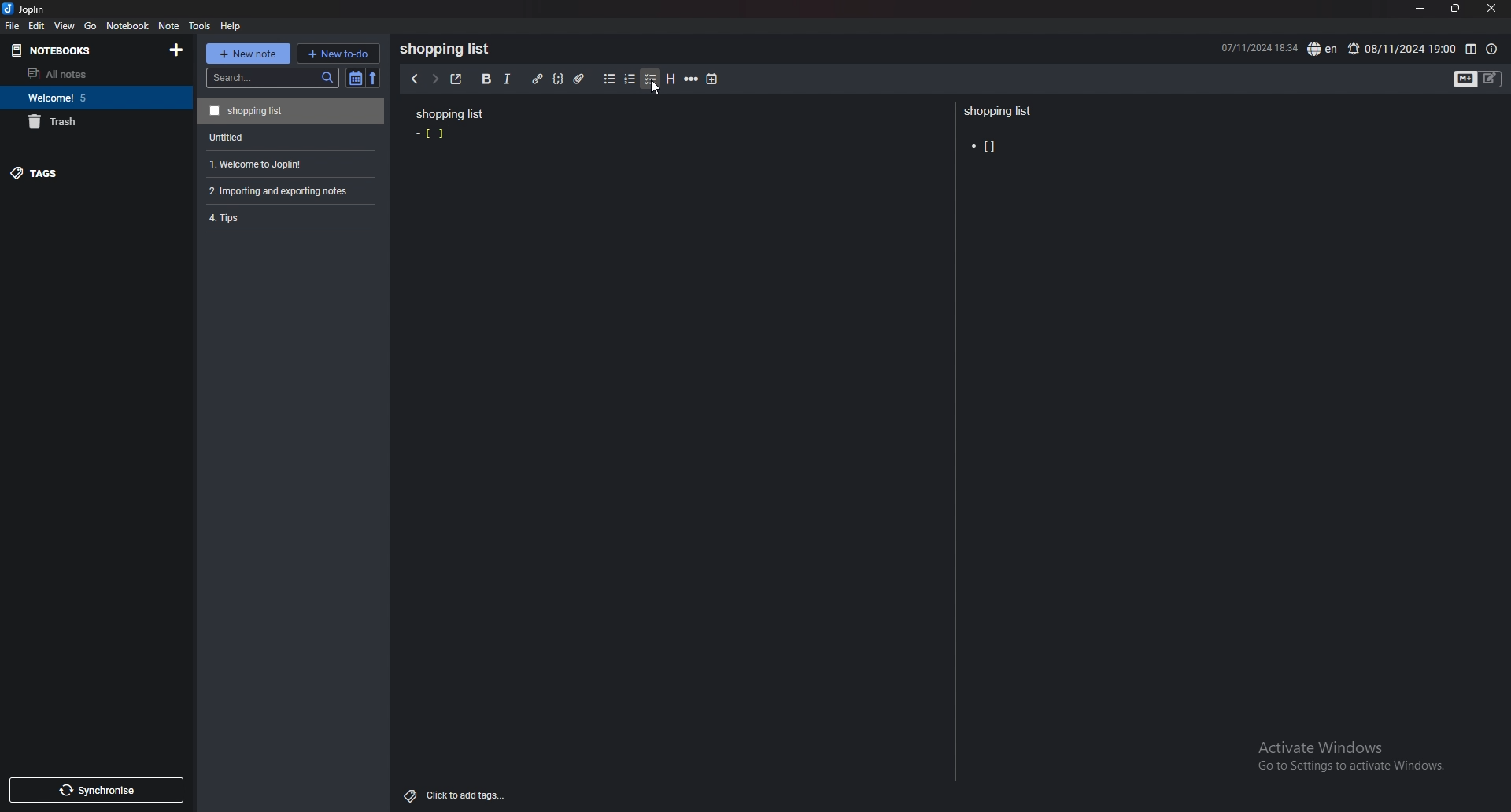 Image resolution: width=1511 pixels, height=812 pixels. I want to click on numbered list, so click(630, 79).